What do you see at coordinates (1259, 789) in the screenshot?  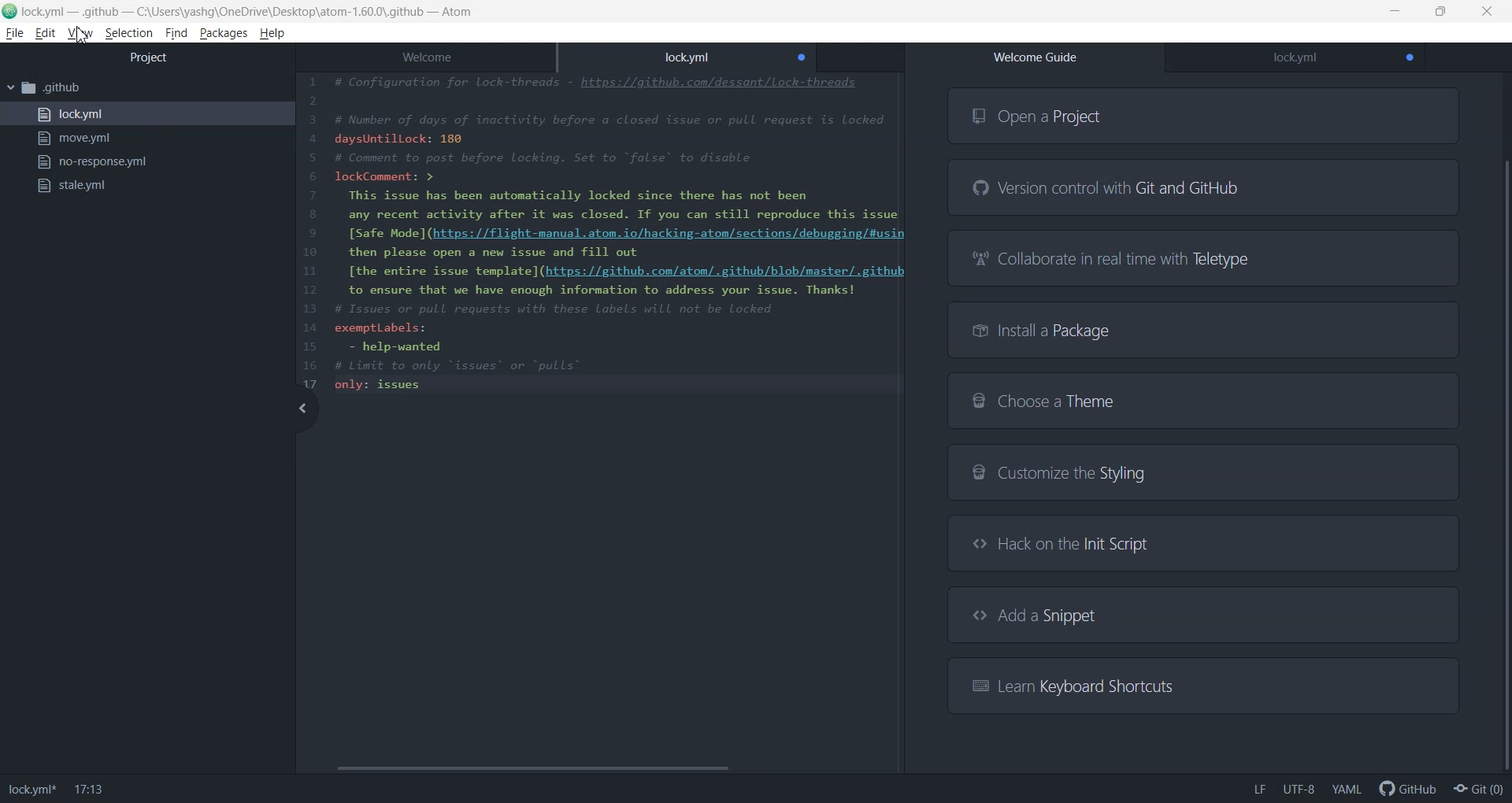 I see `LF` at bounding box center [1259, 789].